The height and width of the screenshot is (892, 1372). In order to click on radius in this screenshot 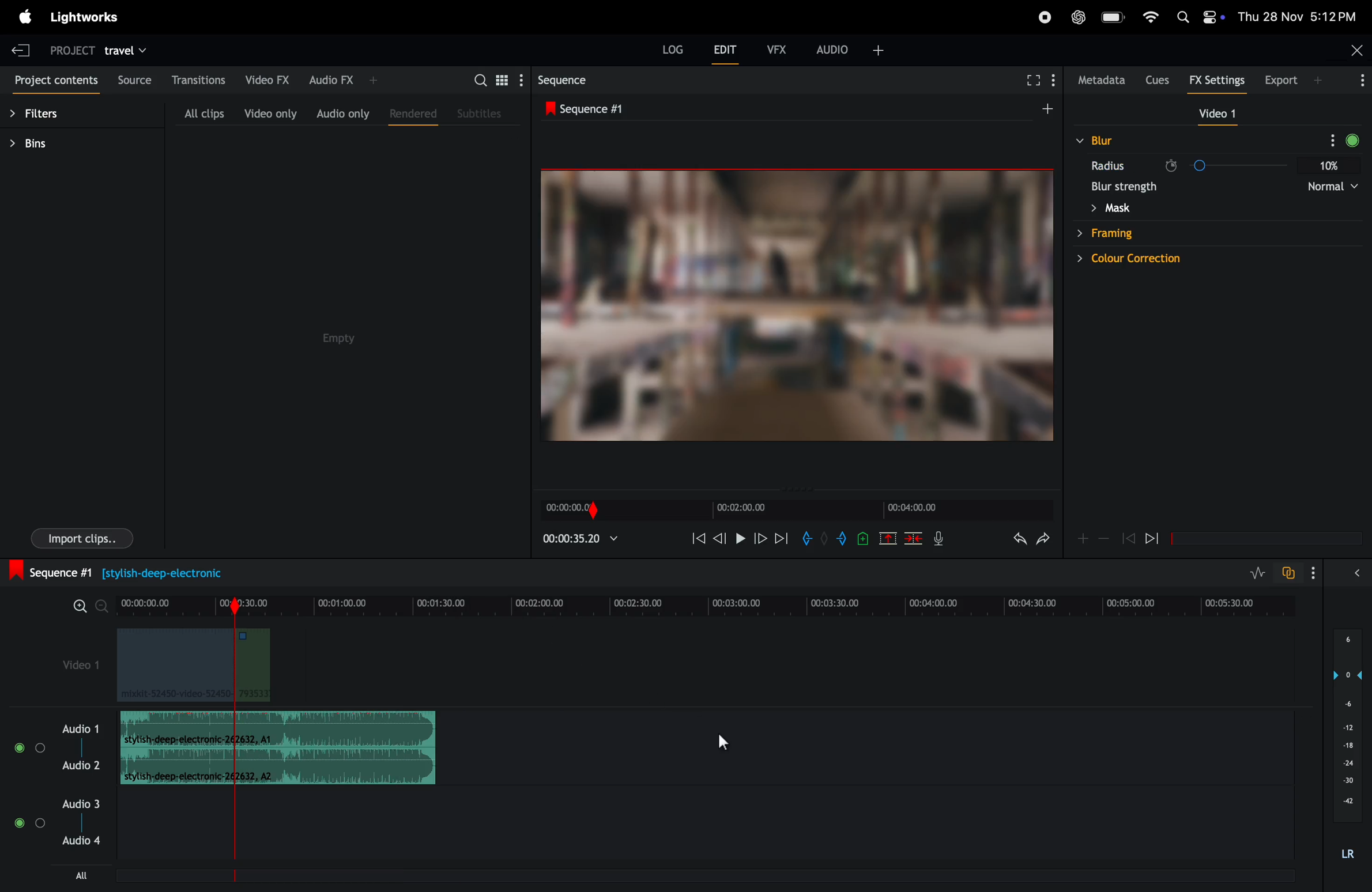, I will do `click(1216, 164)`.